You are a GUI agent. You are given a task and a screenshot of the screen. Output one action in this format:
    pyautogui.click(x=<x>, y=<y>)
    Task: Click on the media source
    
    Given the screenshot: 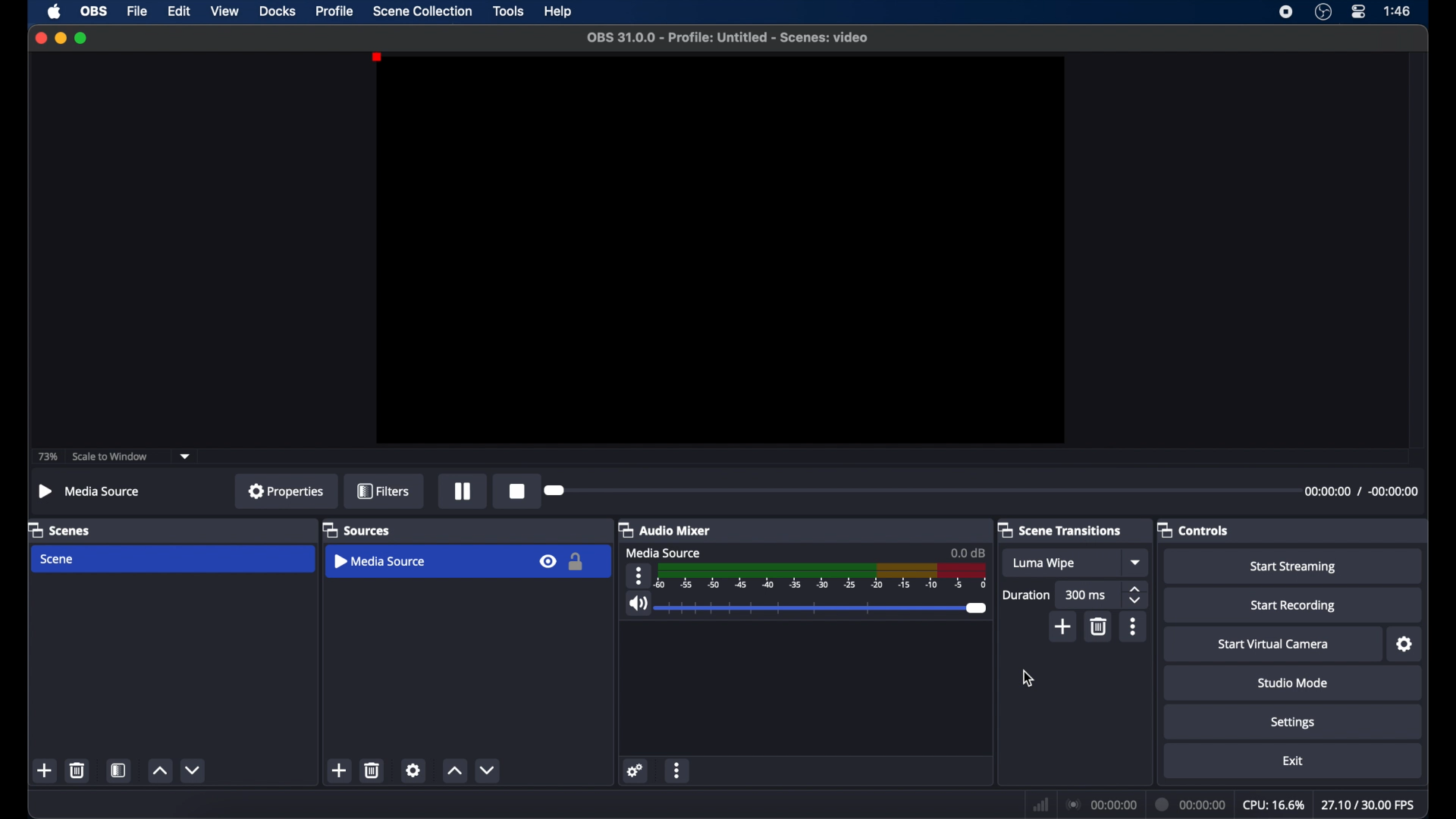 What is the action you would take?
    pyautogui.click(x=381, y=560)
    